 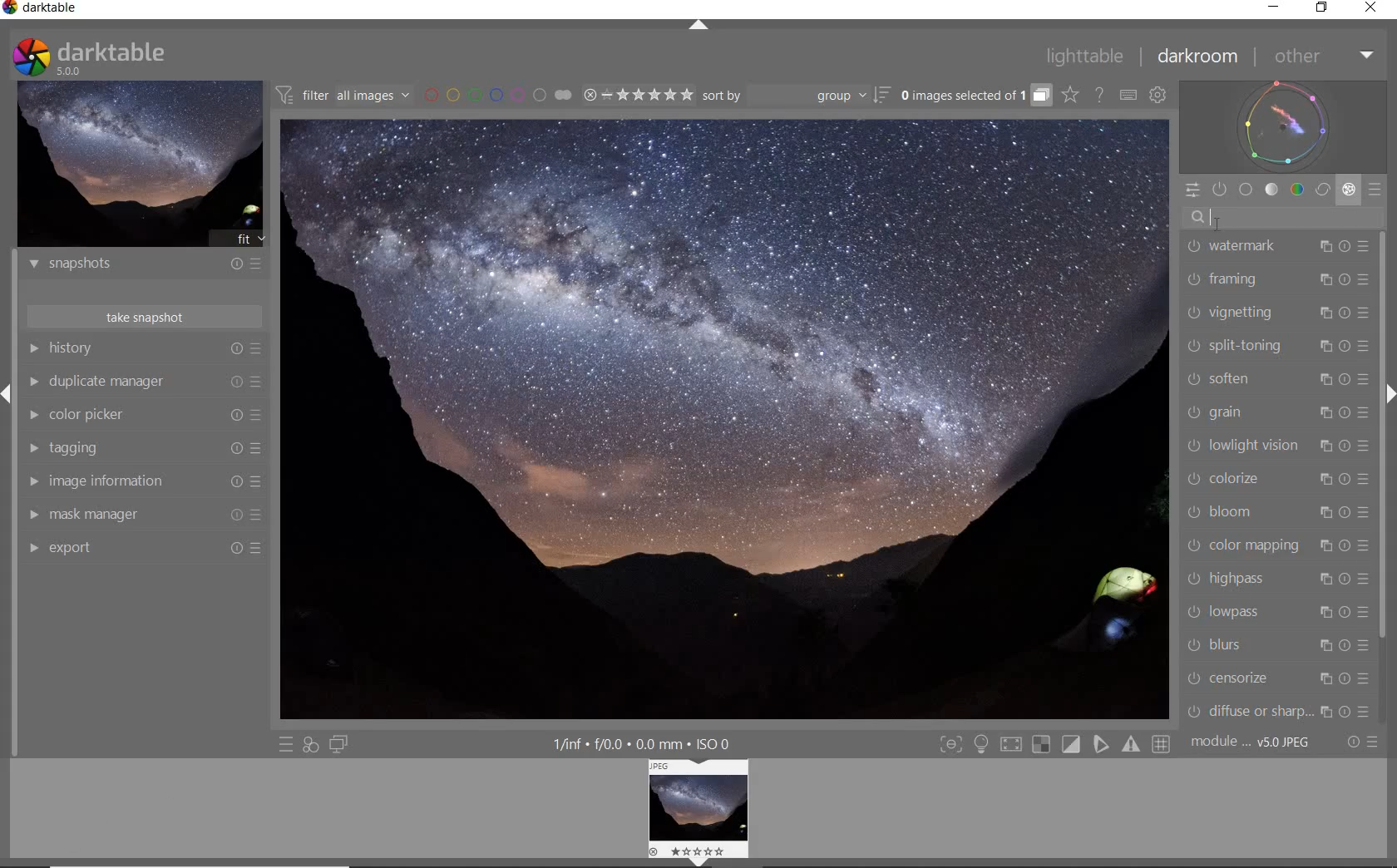 I want to click on multiple instance actions, so click(x=1324, y=677).